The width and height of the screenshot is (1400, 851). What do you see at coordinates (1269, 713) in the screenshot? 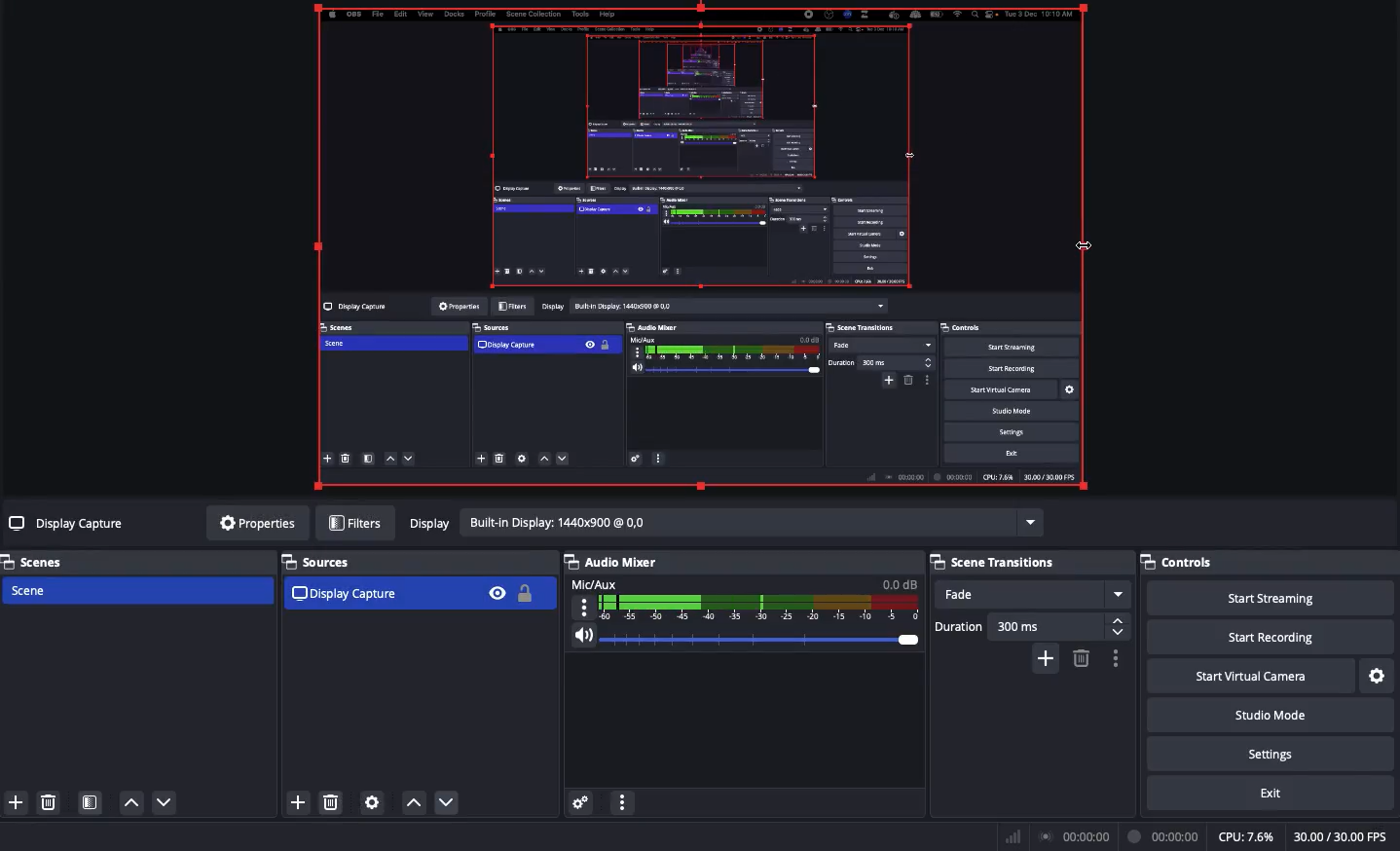
I see `Studio mode` at bounding box center [1269, 713].